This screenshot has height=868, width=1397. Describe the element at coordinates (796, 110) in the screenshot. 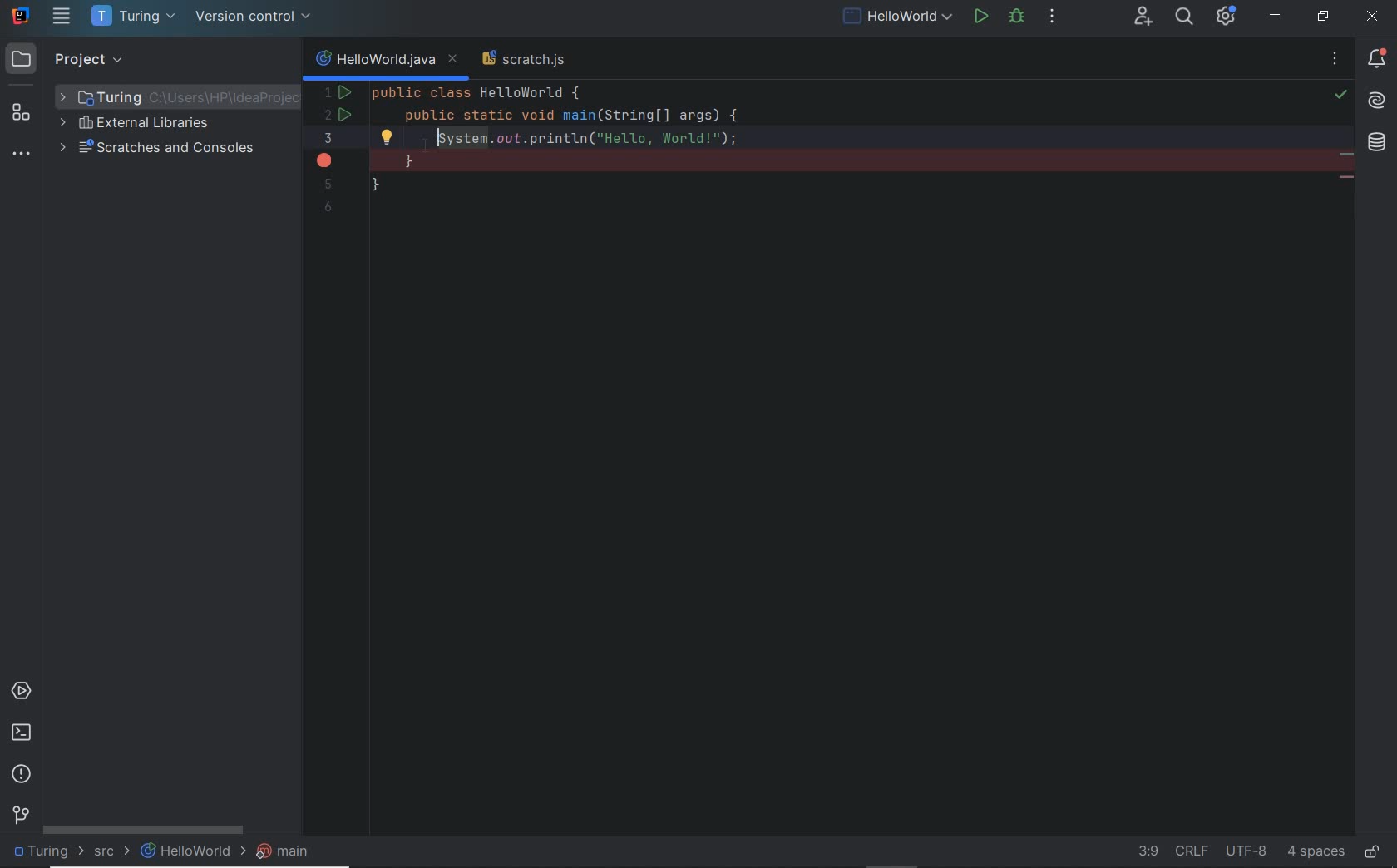

I see `codes` at that location.